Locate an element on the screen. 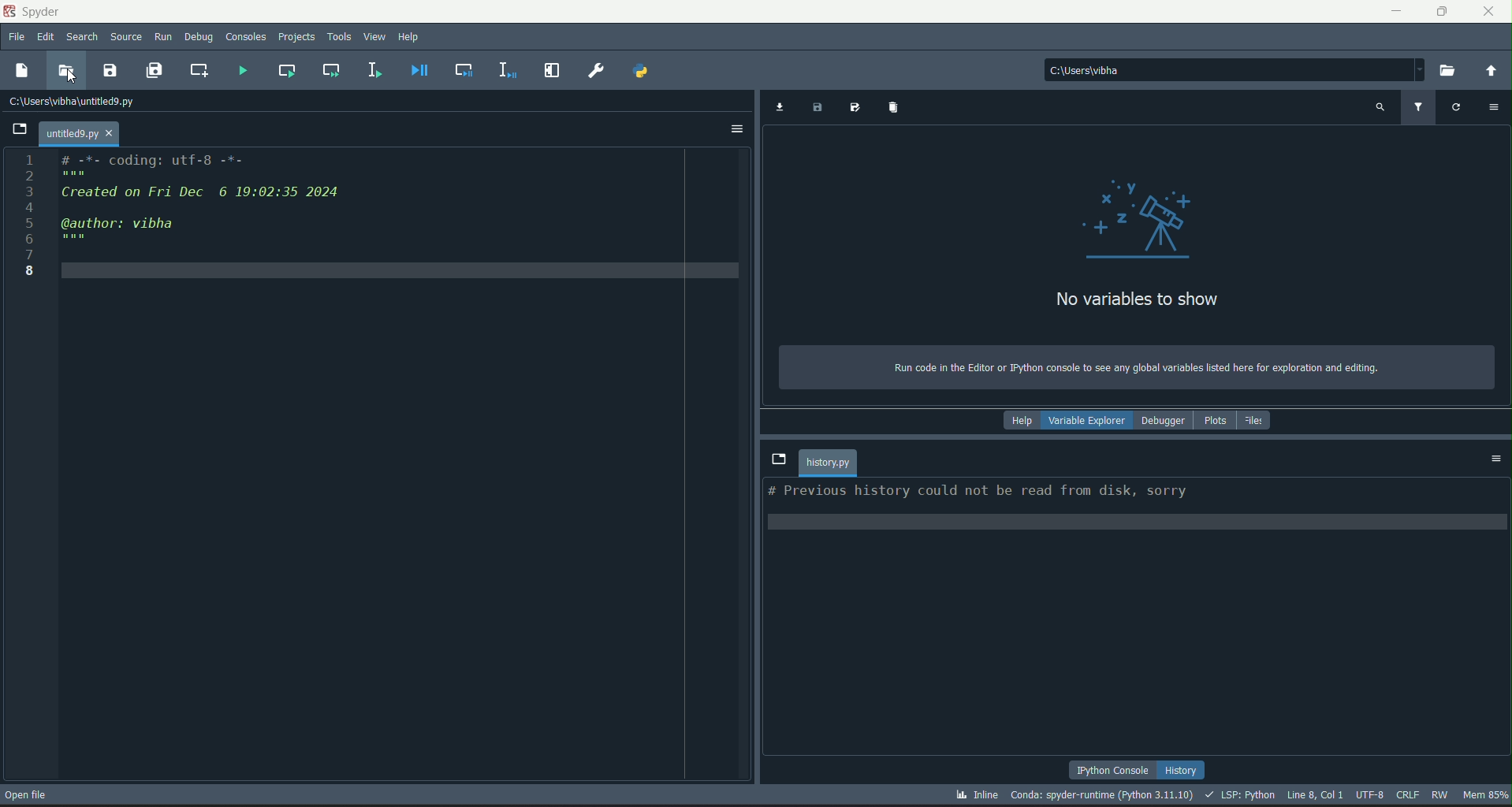 This screenshot has width=1512, height=807. open file is located at coordinates (32, 794).